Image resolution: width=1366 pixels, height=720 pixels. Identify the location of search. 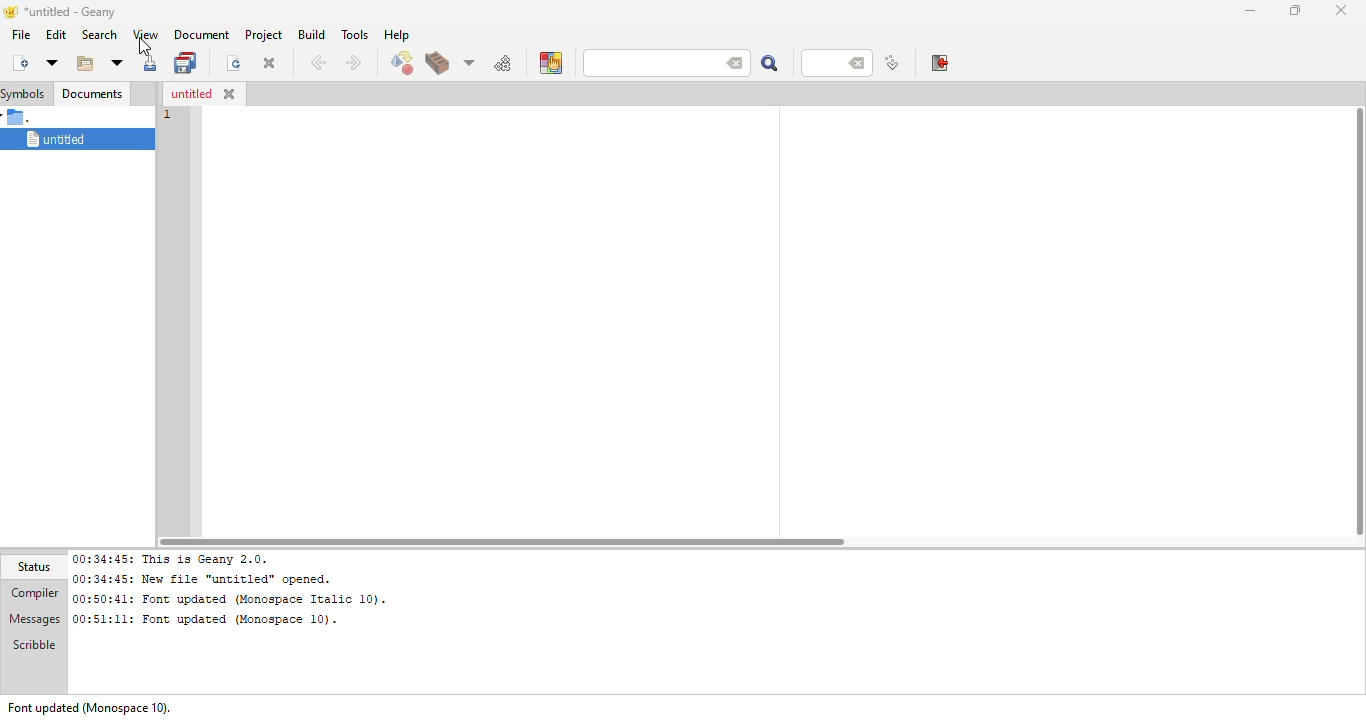
(97, 34).